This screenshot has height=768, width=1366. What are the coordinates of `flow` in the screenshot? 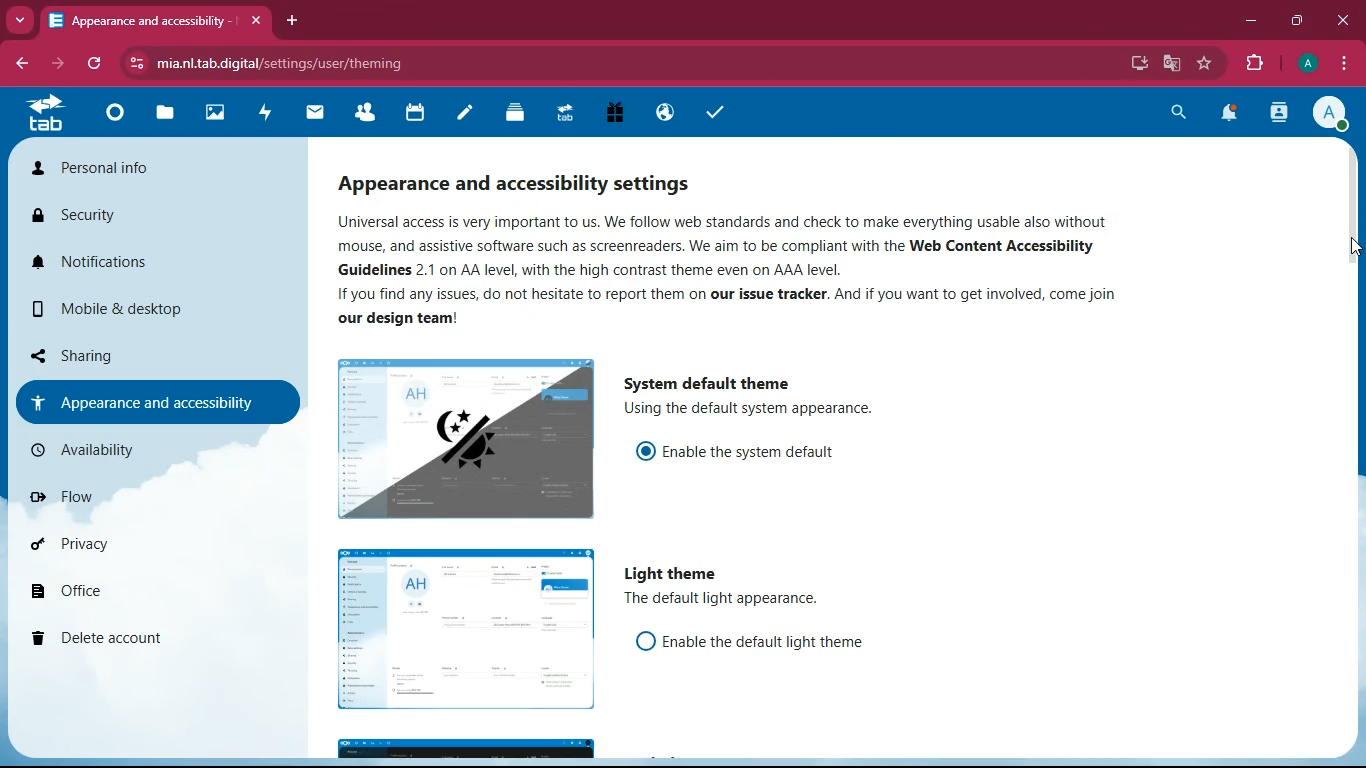 It's located at (138, 504).